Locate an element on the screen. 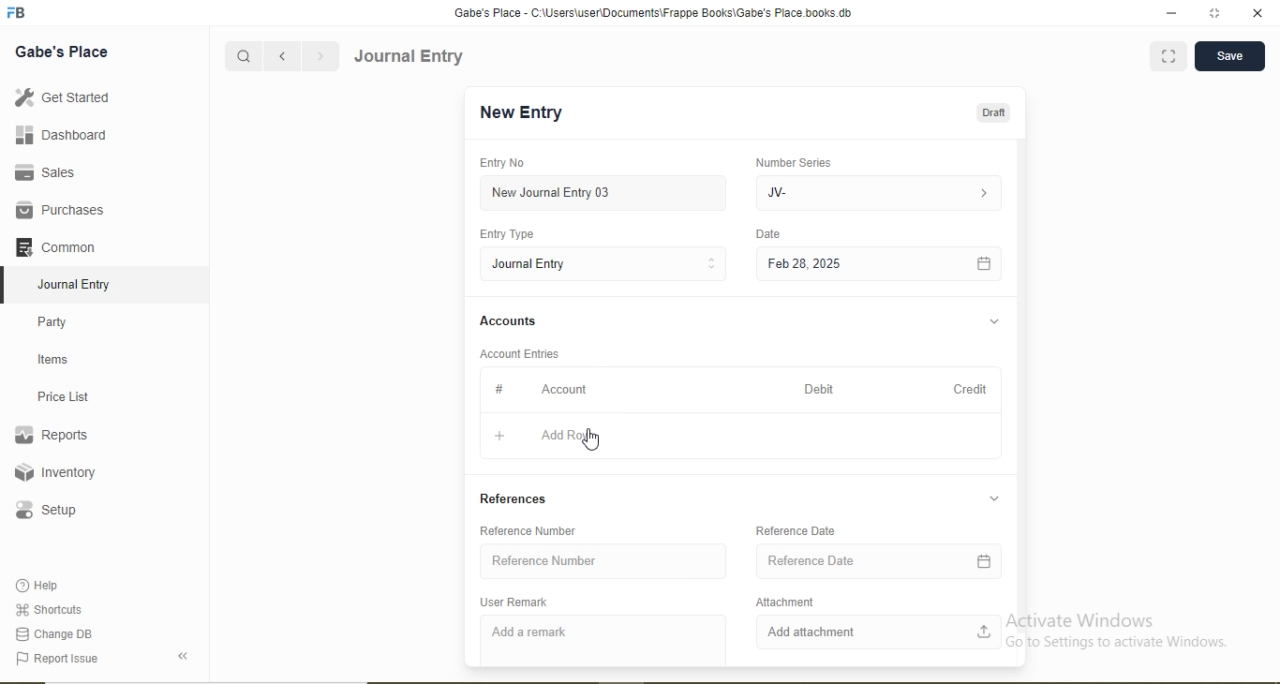 The image size is (1280, 684). New Journal Entry 03 is located at coordinates (552, 193).